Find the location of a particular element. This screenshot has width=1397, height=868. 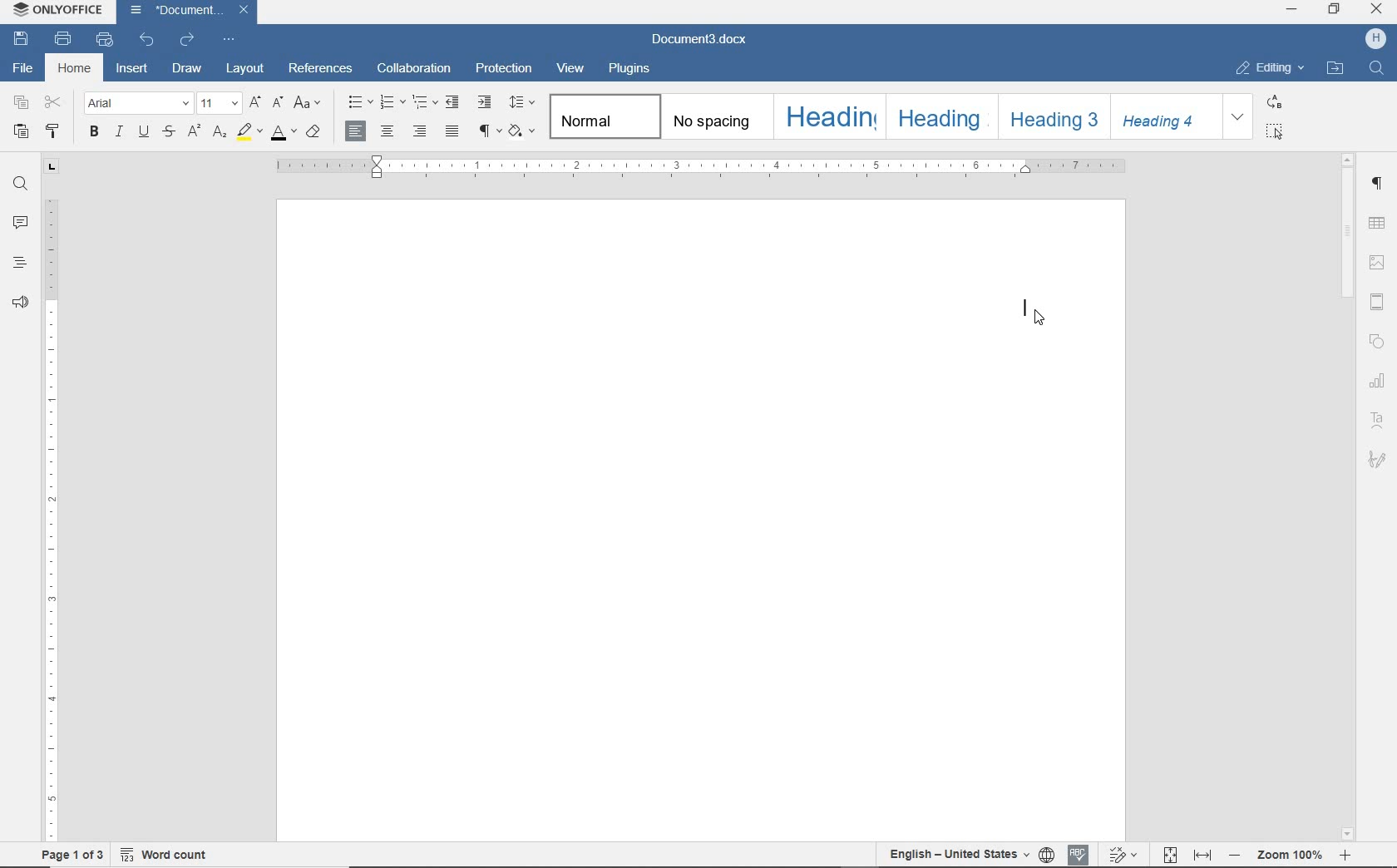

SHADING is located at coordinates (520, 129).